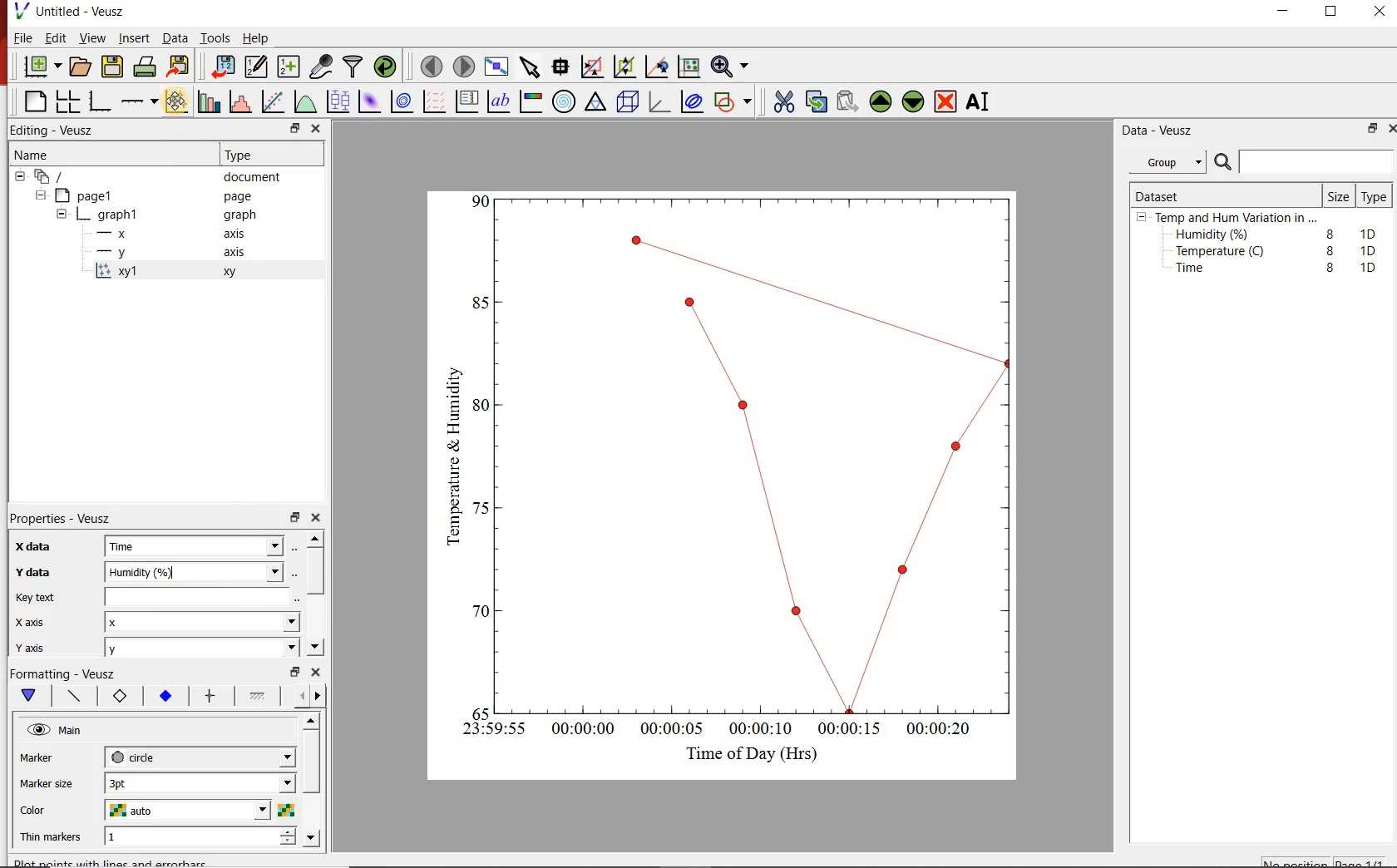 The image size is (1397, 868). Describe the element at coordinates (1171, 159) in the screenshot. I see `Group.` at that location.